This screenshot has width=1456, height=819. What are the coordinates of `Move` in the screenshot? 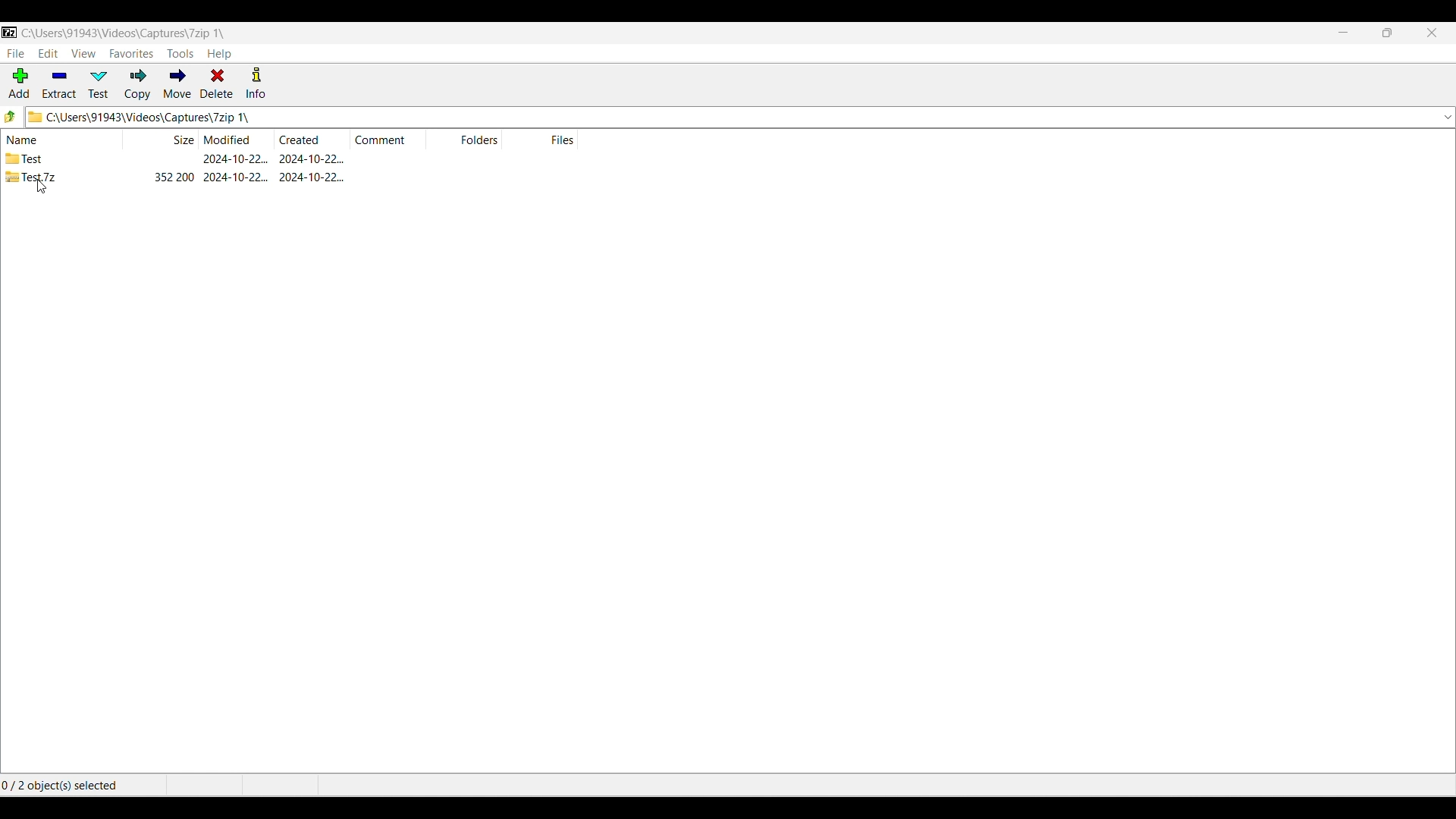 It's located at (177, 83).